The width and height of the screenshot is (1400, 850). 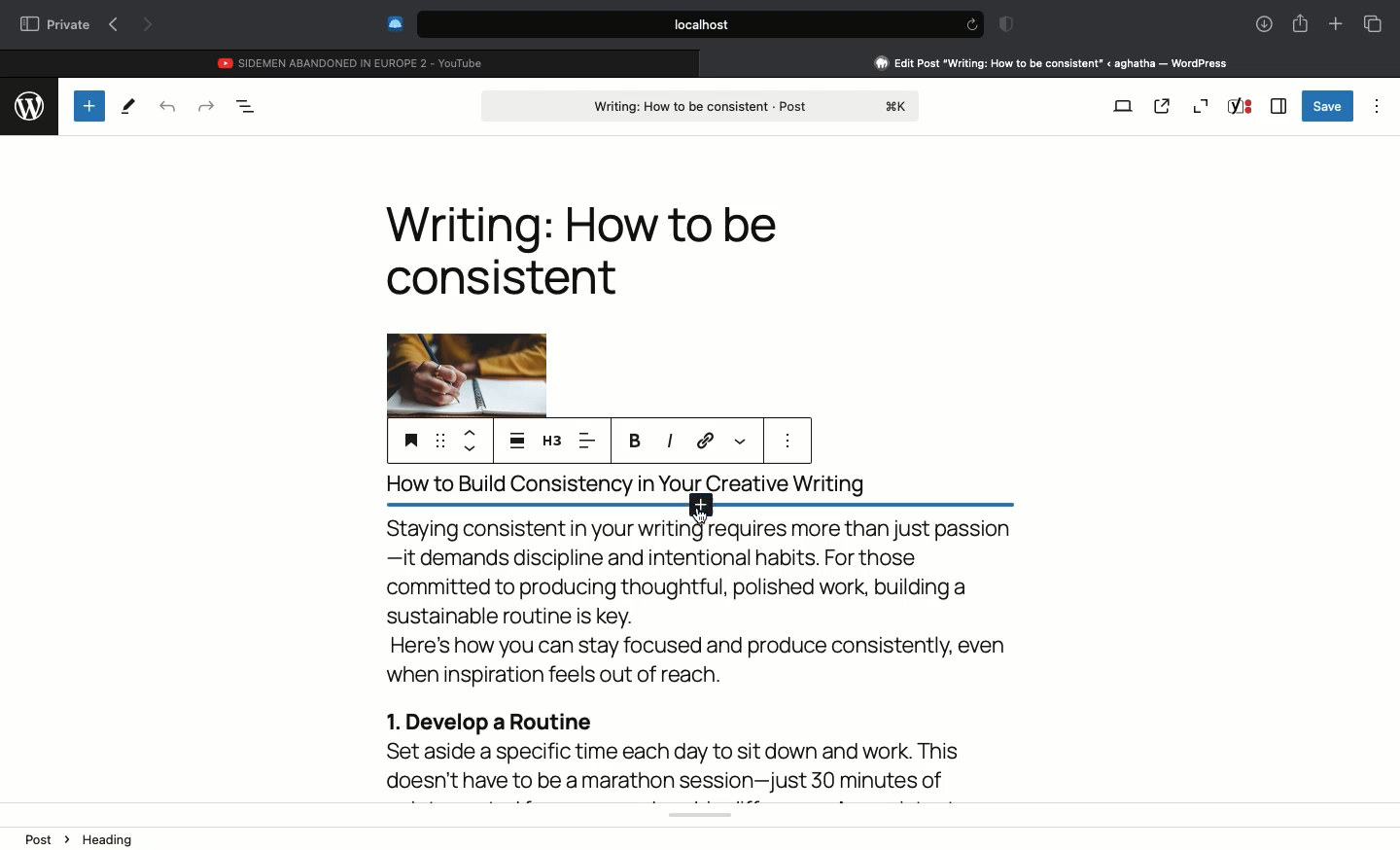 What do you see at coordinates (1373, 23) in the screenshot?
I see `Tabs` at bounding box center [1373, 23].